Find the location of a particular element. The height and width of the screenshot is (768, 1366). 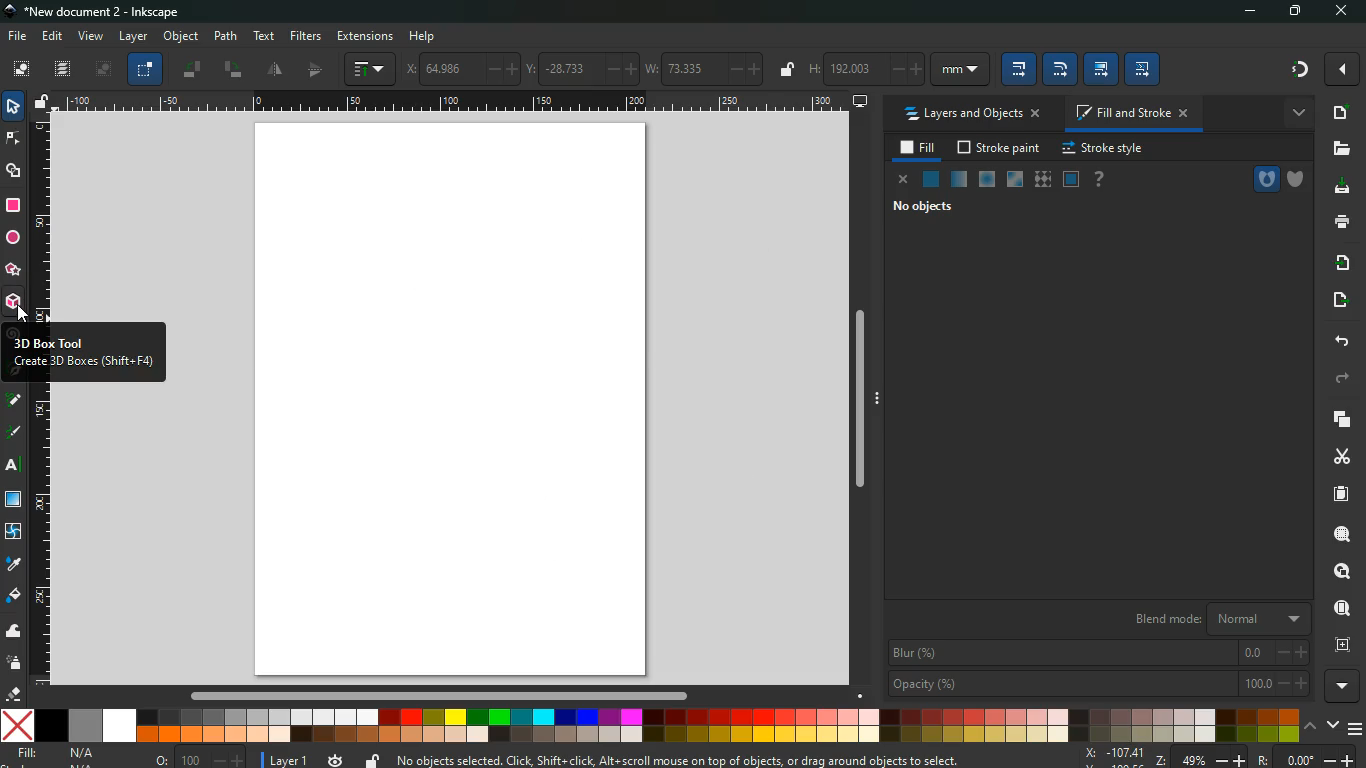

help is located at coordinates (429, 36).